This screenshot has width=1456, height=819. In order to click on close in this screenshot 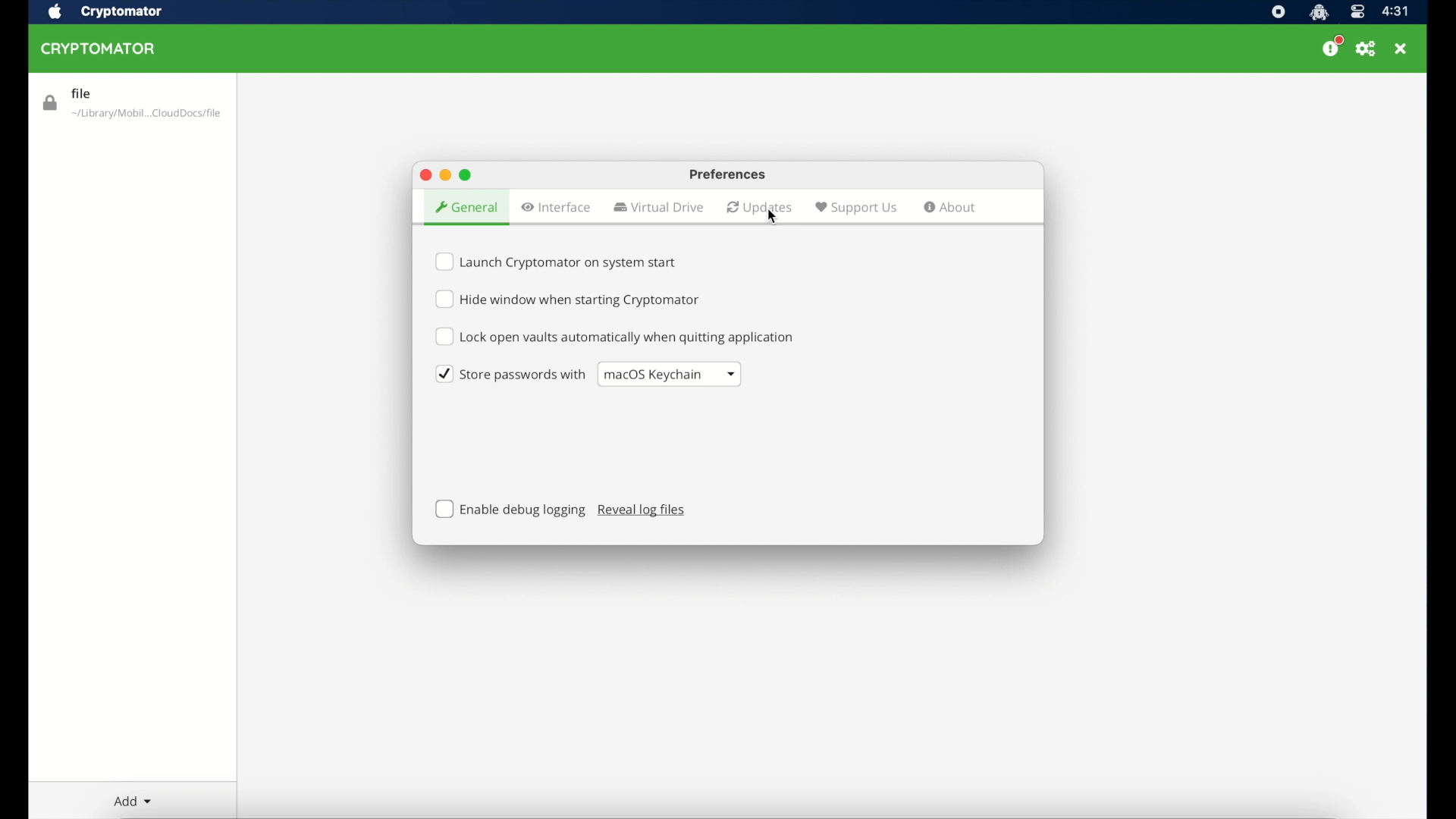, I will do `click(1402, 49)`.